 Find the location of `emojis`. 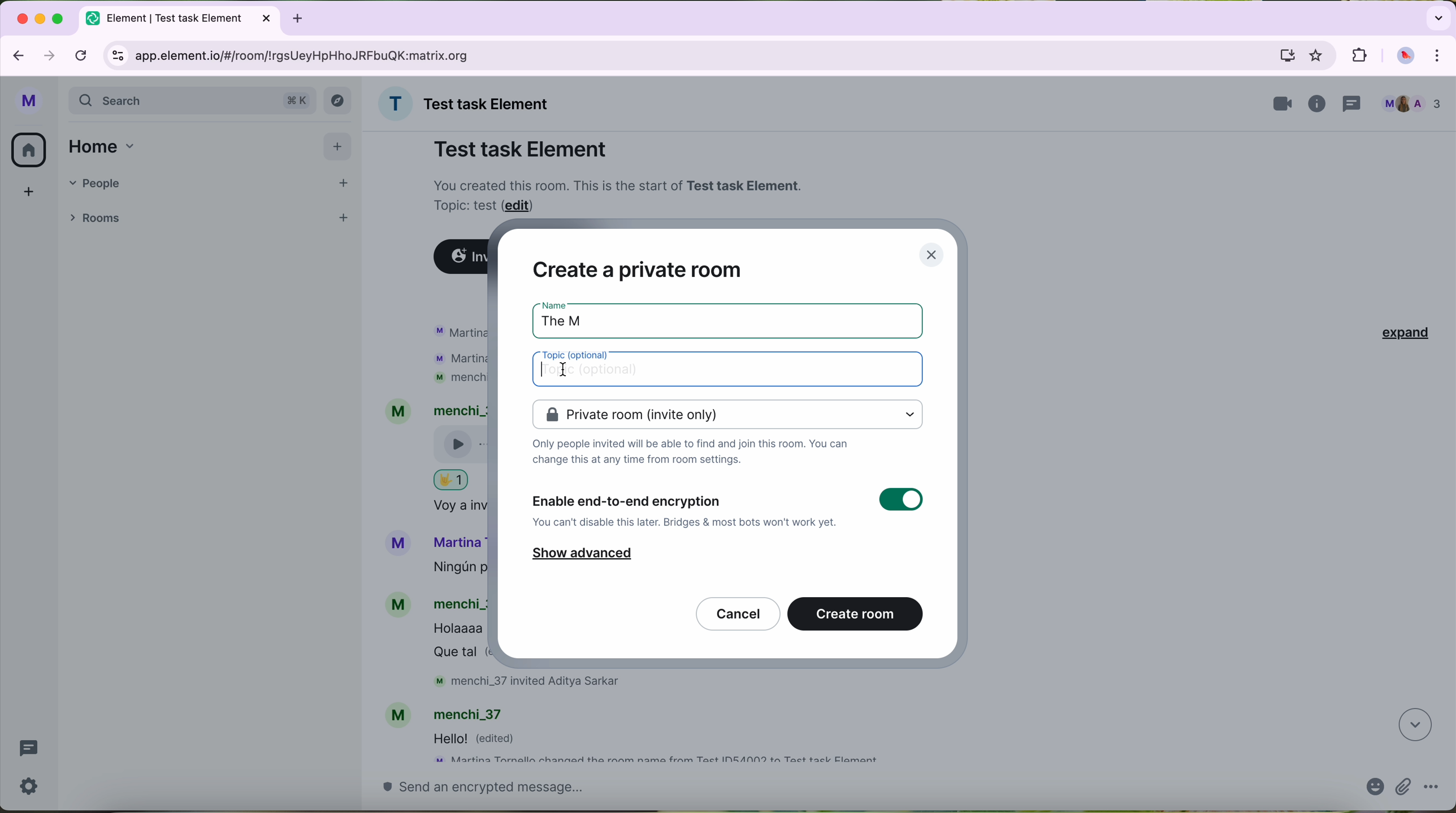

emojis is located at coordinates (1372, 790).